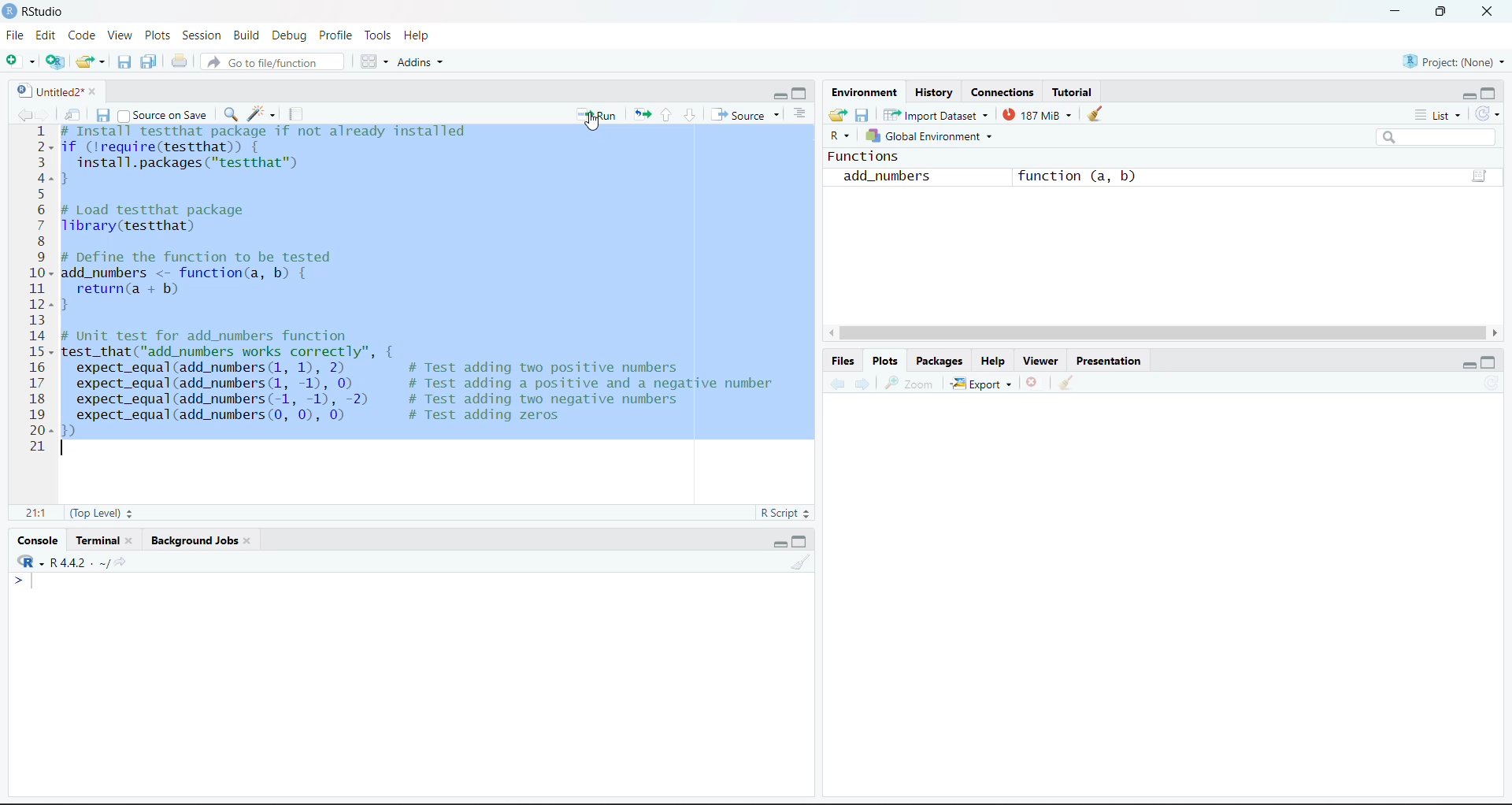  I want to click on clear console, so click(799, 562).